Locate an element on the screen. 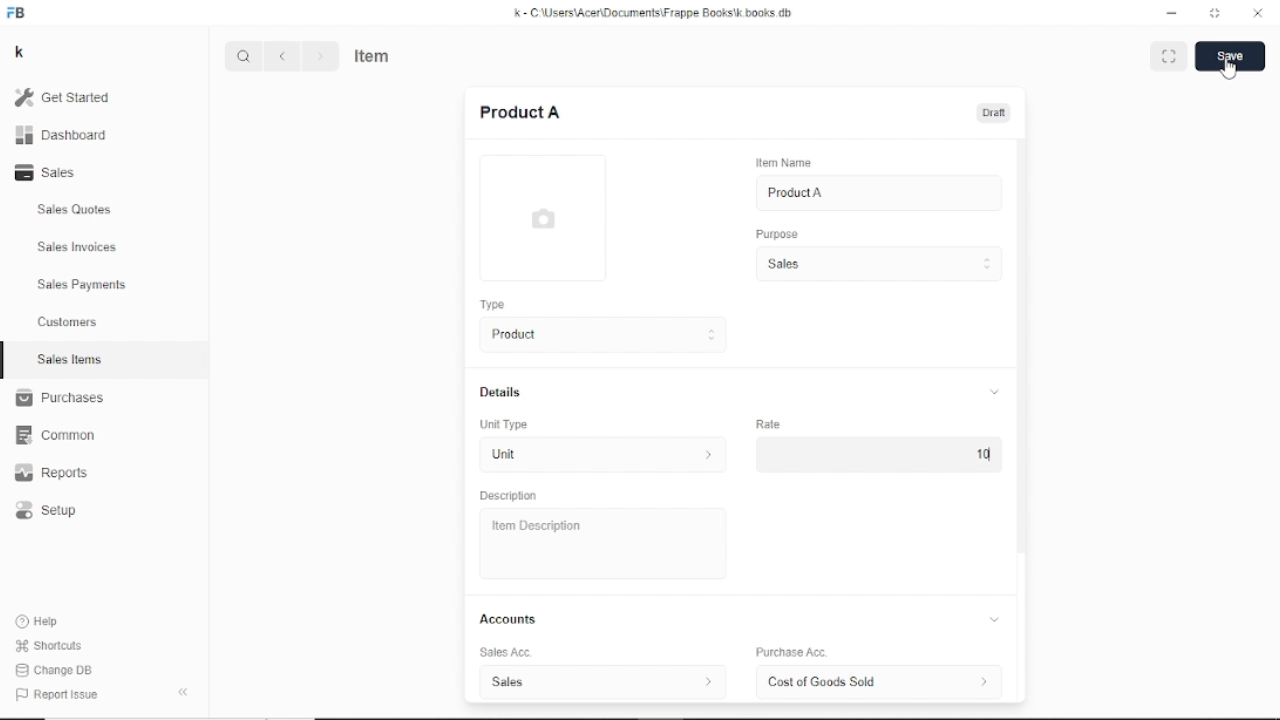 The height and width of the screenshot is (720, 1280).  Item is located at coordinates (373, 54).